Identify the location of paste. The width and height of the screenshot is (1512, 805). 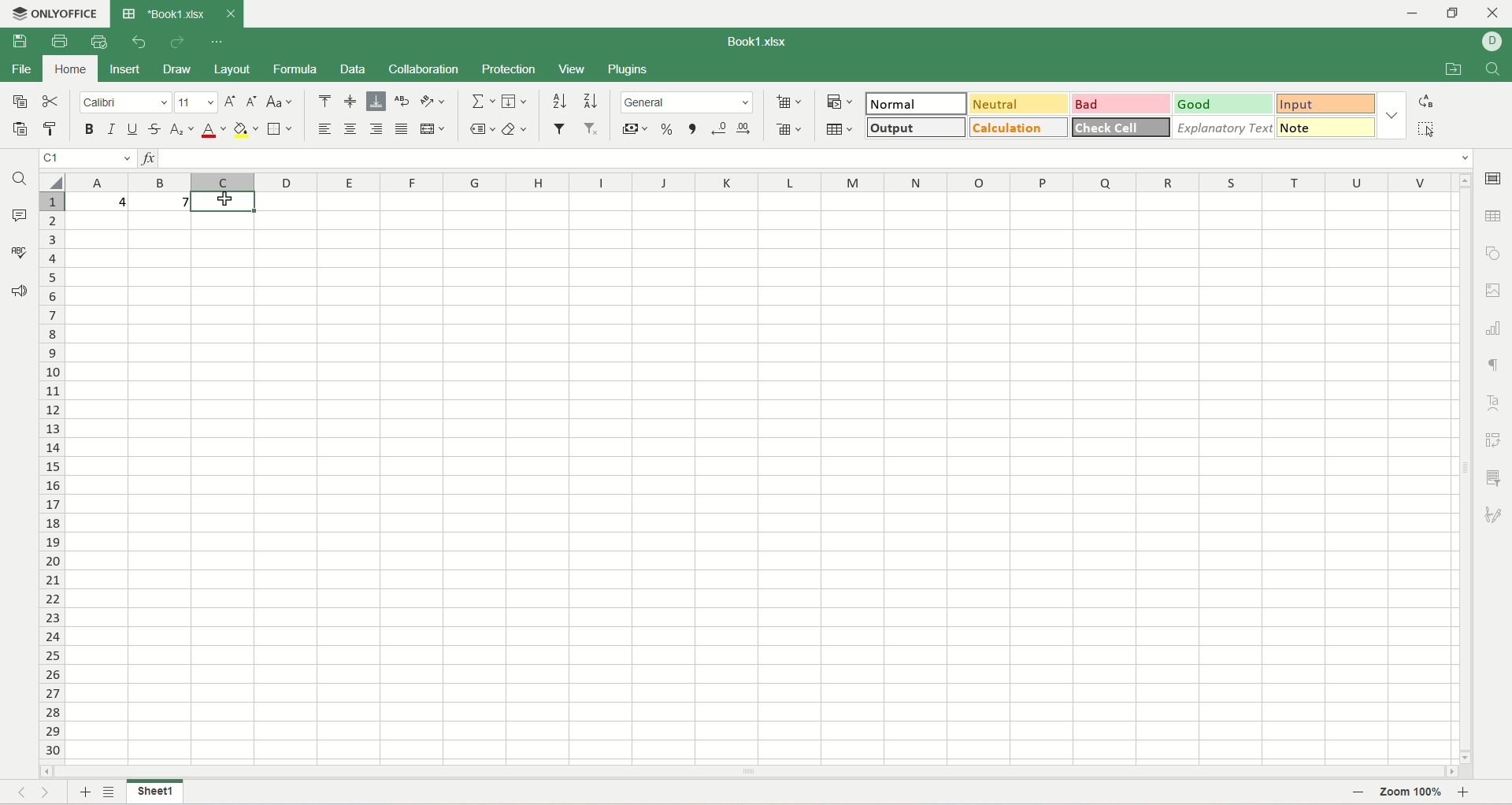
(54, 129).